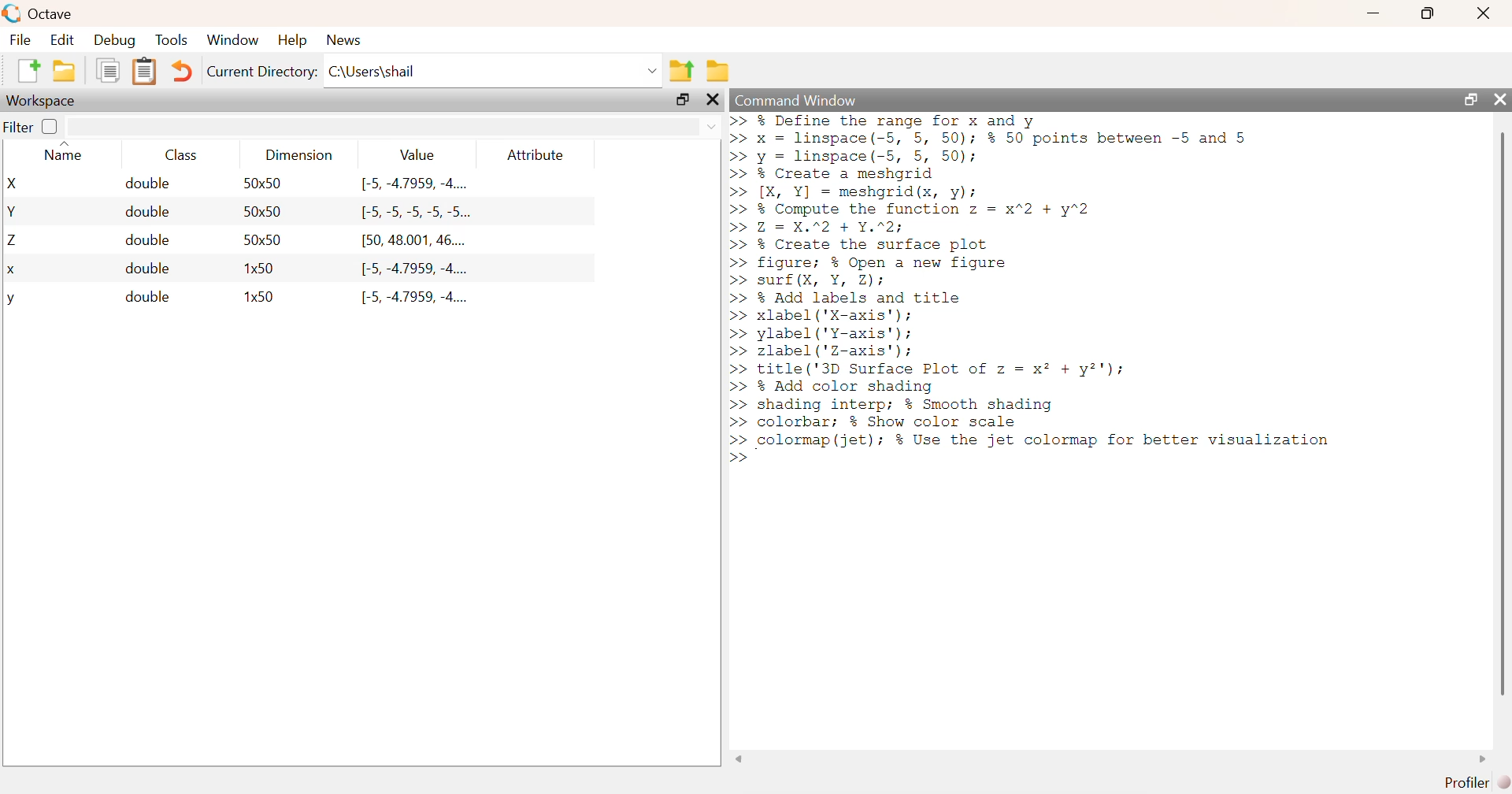  Describe the element at coordinates (1036, 289) in the screenshot. I see `>> % Define the range for x and y

>> x = linspace(-5, 5, 50); % 50 points between -5 and 5
>> y = linspace(-5, 5, 50);

>> % Create a meshgrid

>> [X, Y] = meshgrid(x, y):

>> % Compute the function z = x°2 + y"2

>> Z = X."2 + Y.82;

>> % Create the surface plot

>> figure; % Open a new figure

>> surf (X, ¥, 2);

>> % Add labels and title

>> xlabel ('X-axis');

>> ylabel ('Y-axis'):

>> zlabel ('Z-axis');

>> title('3D Surface Plot of z = x? + y2');

>> % Add color shading

>> shading interp; % Smooth shading

>> colorbar; % Show color scale

>> colormap (jet); % Use the jet colormap for better visualization
>>` at that location.